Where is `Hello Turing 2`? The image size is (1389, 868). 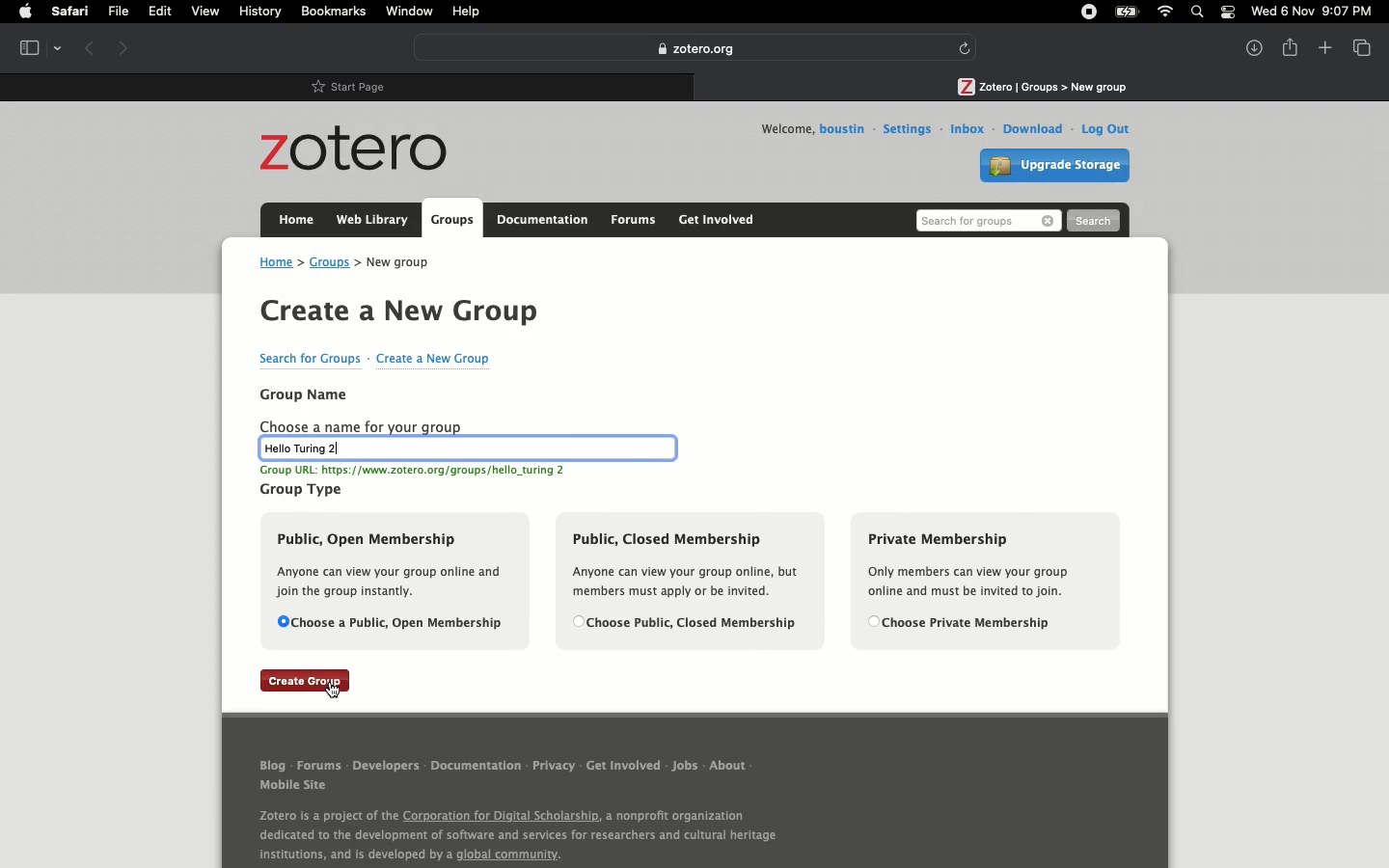
Hello Turing 2 is located at coordinates (466, 449).